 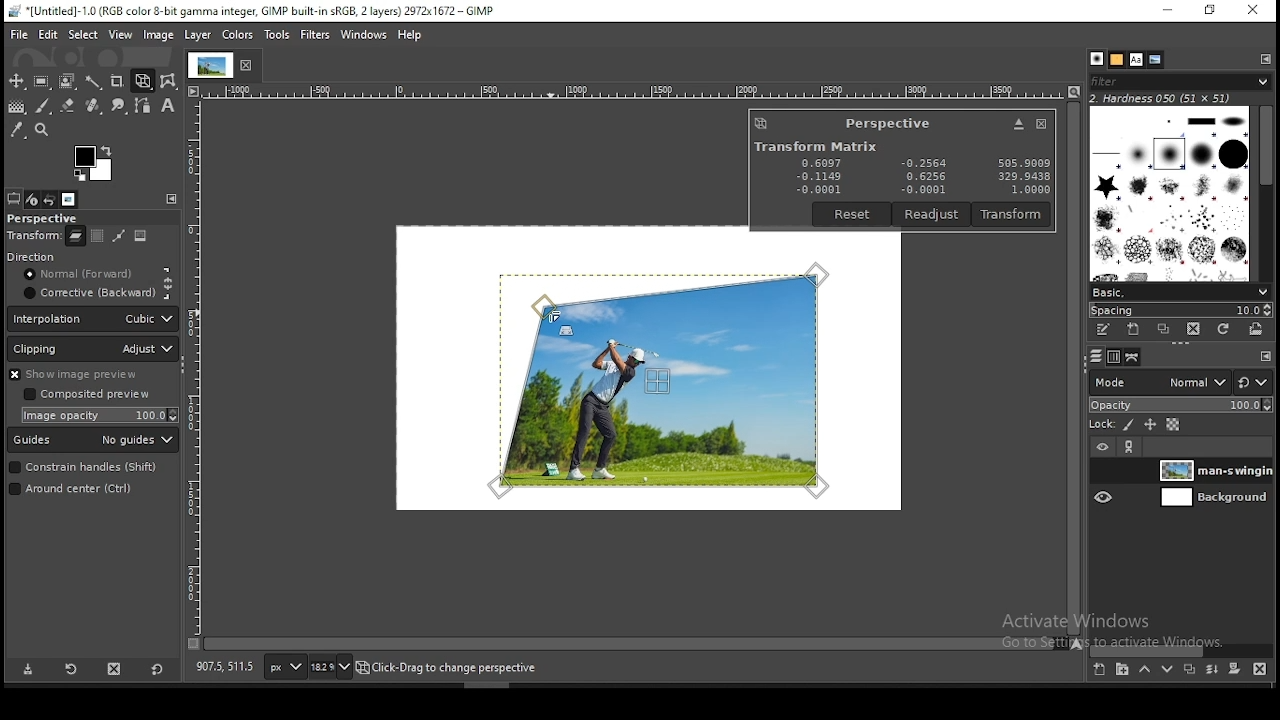 I want to click on -0.6256, so click(x=922, y=177).